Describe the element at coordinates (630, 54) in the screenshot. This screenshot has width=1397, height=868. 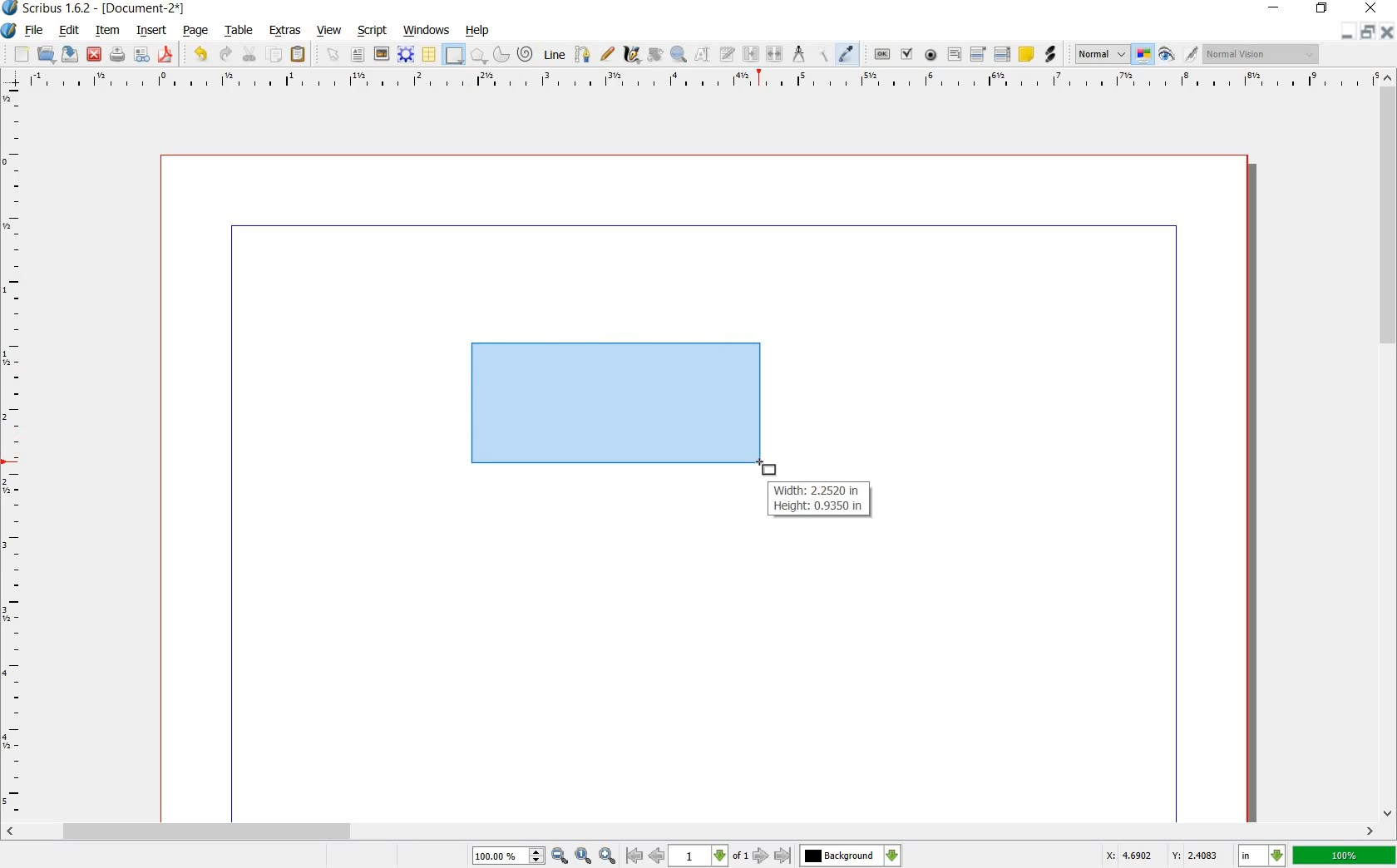
I see `CALLIGRAPHIC LINE` at that location.